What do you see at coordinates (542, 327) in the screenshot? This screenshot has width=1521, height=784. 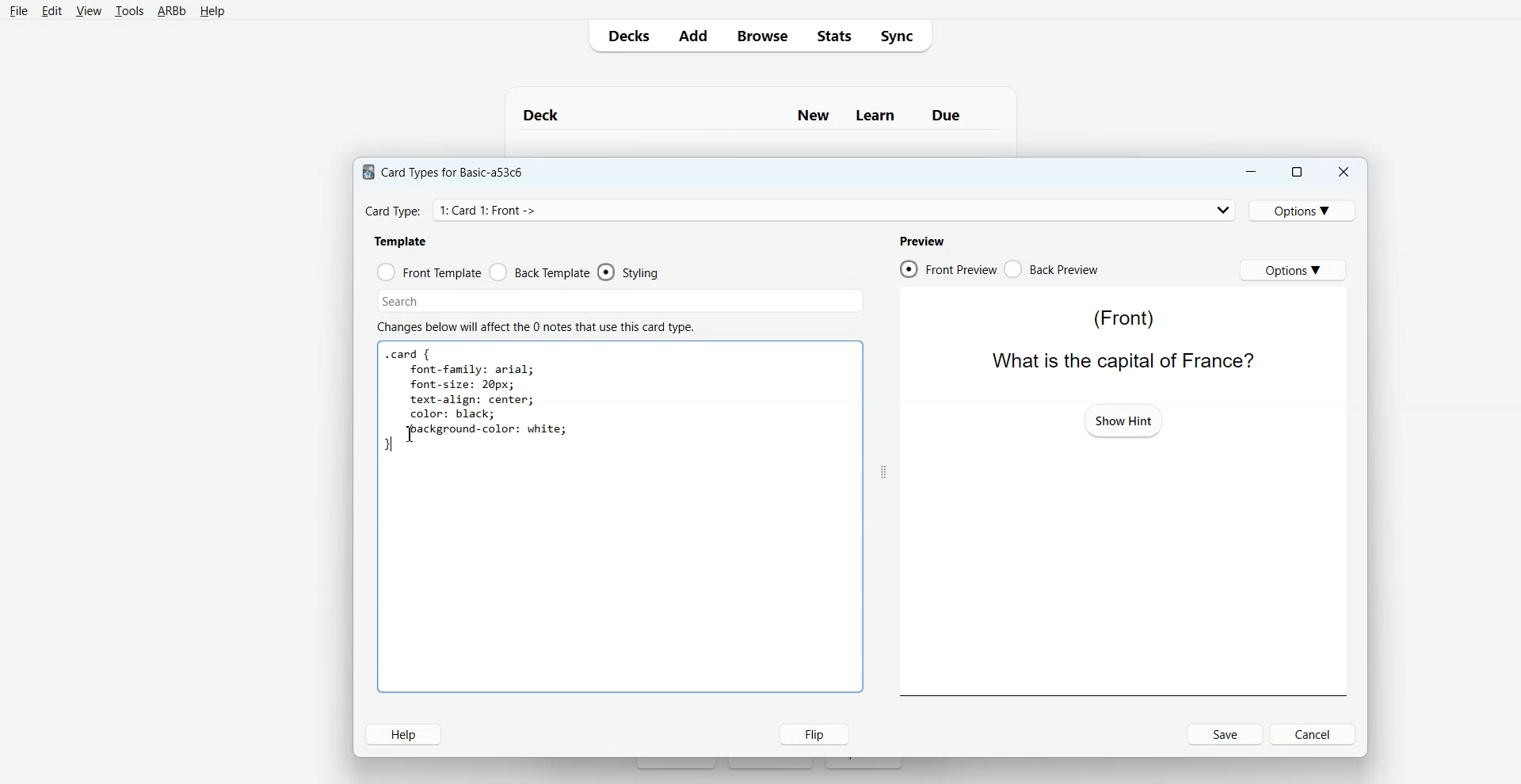 I see `Changes below will affect the 0 notes that use this card type` at bounding box center [542, 327].